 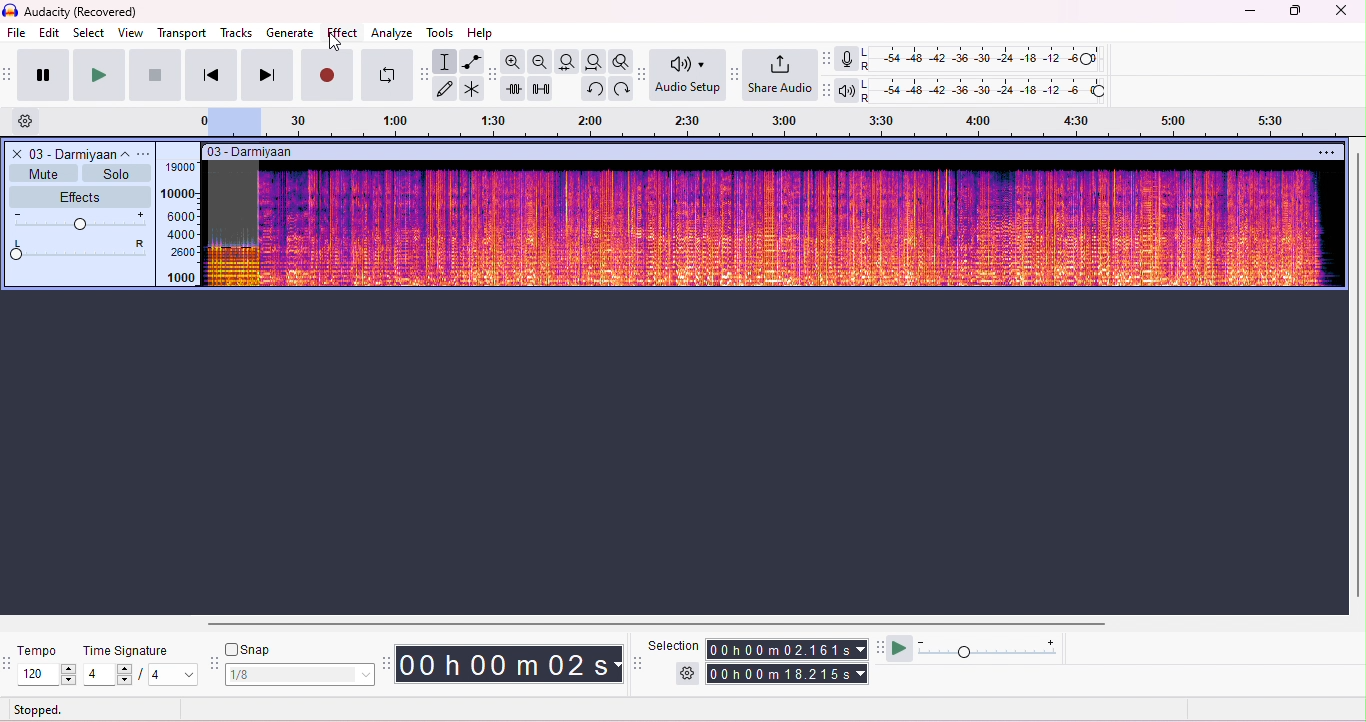 What do you see at coordinates (384, 75) in the screenshot?
I see `looping` at bounding box center [384, 75].